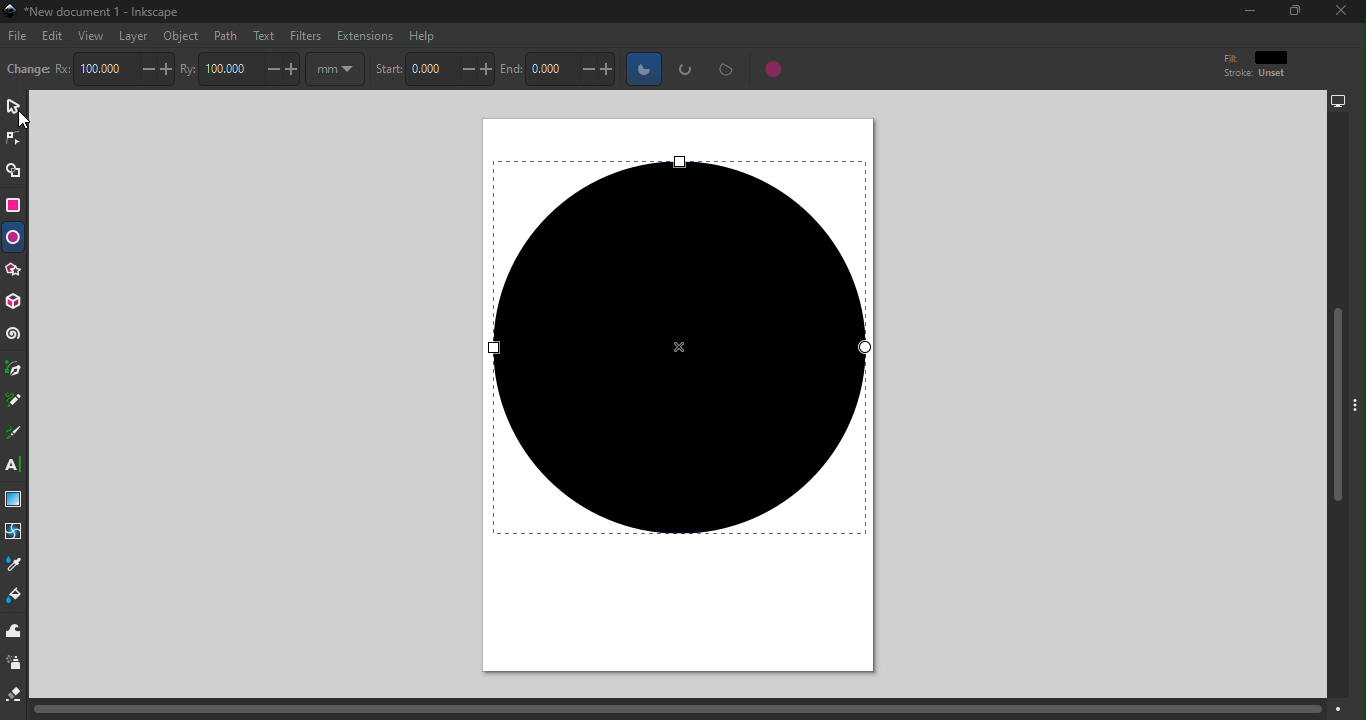 Image resolution: width=1366 pixels, height=720 pixels. Describe the element at coordinates (15, 236) in the screenshot. I see `Ellipse/arc tool` at that location.